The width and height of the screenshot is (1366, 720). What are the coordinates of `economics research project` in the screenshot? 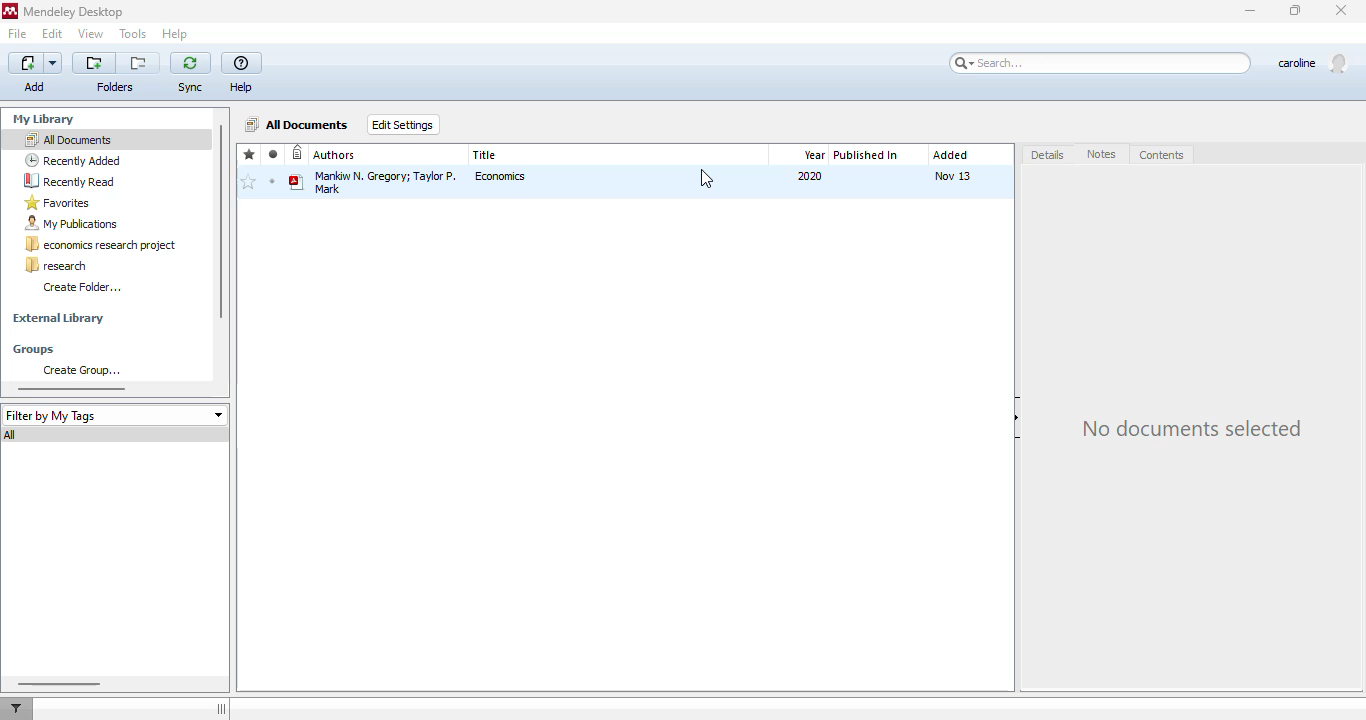 It's located at (102, 245).